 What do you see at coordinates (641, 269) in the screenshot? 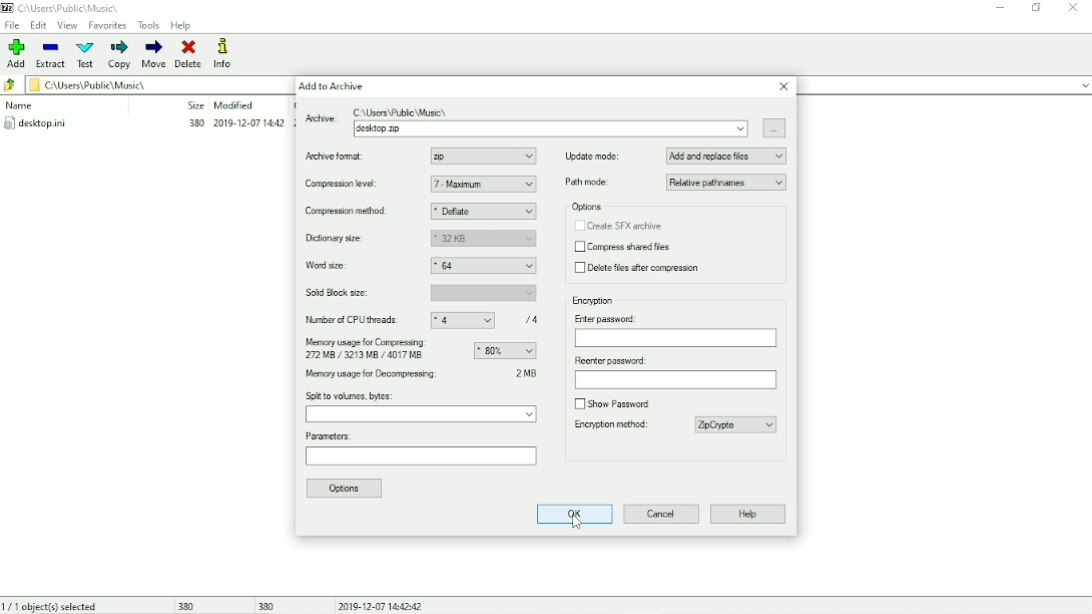
I see `Delete files after compression` at bounding box center [641, 269].